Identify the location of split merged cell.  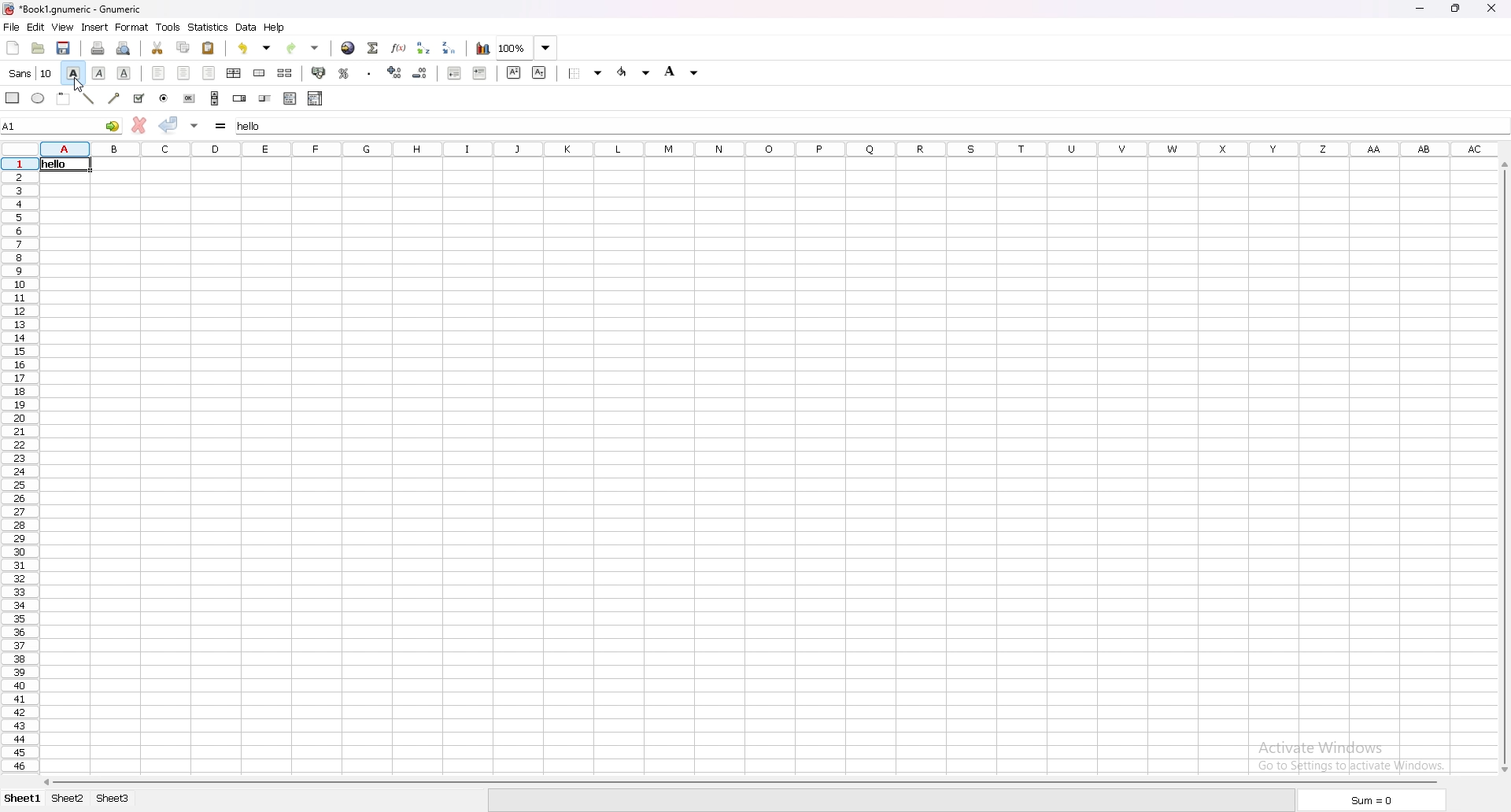
(286, 72).